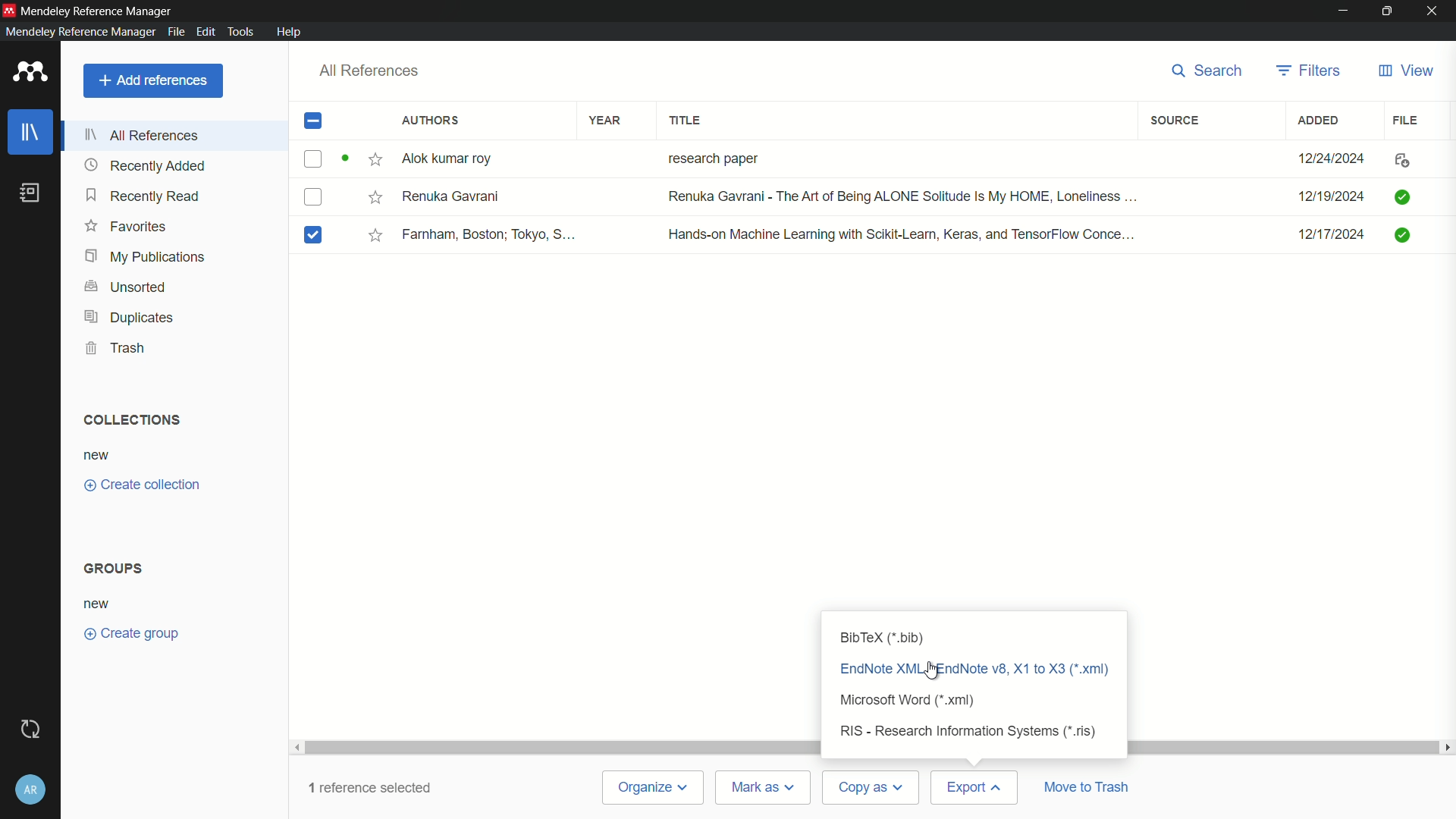 The height and width of the screenshot is (819, 1456). I want to click on file, so click(1403, 121).